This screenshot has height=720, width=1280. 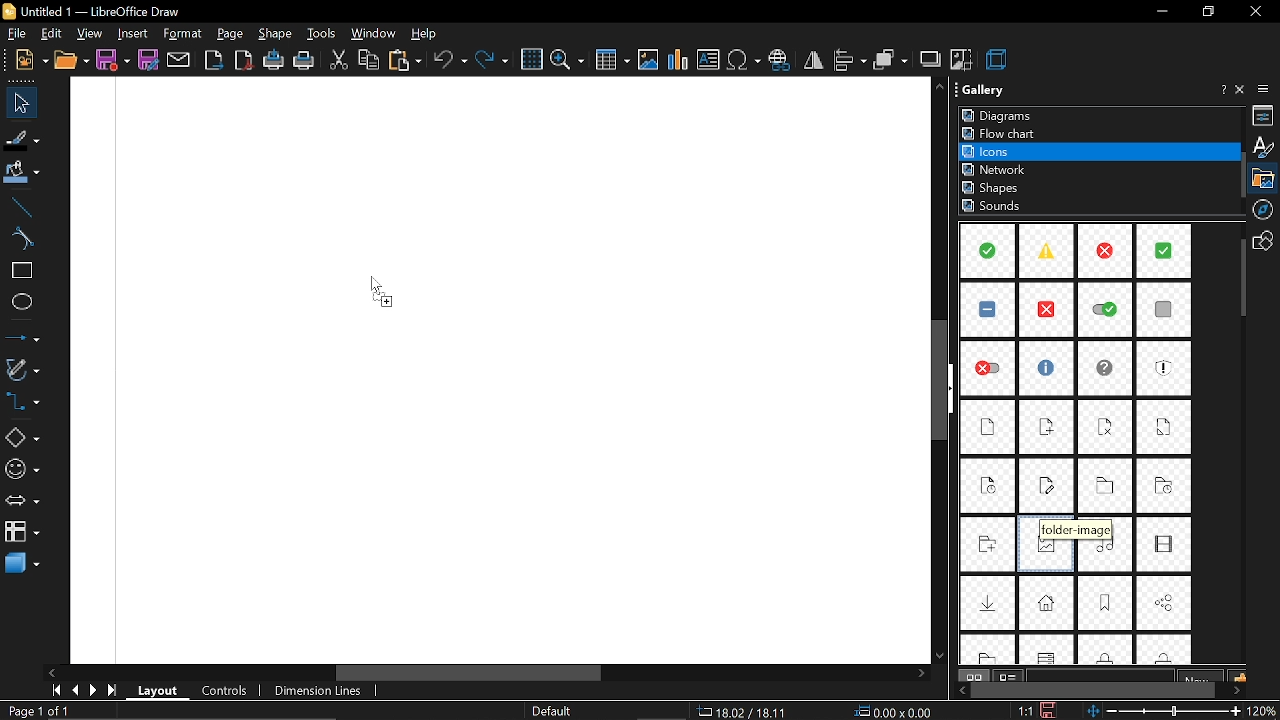 What do you see at coordinates (1266, 89) in the screenshot?
I see `sidebar settings` at bounding box center [1266, 89].